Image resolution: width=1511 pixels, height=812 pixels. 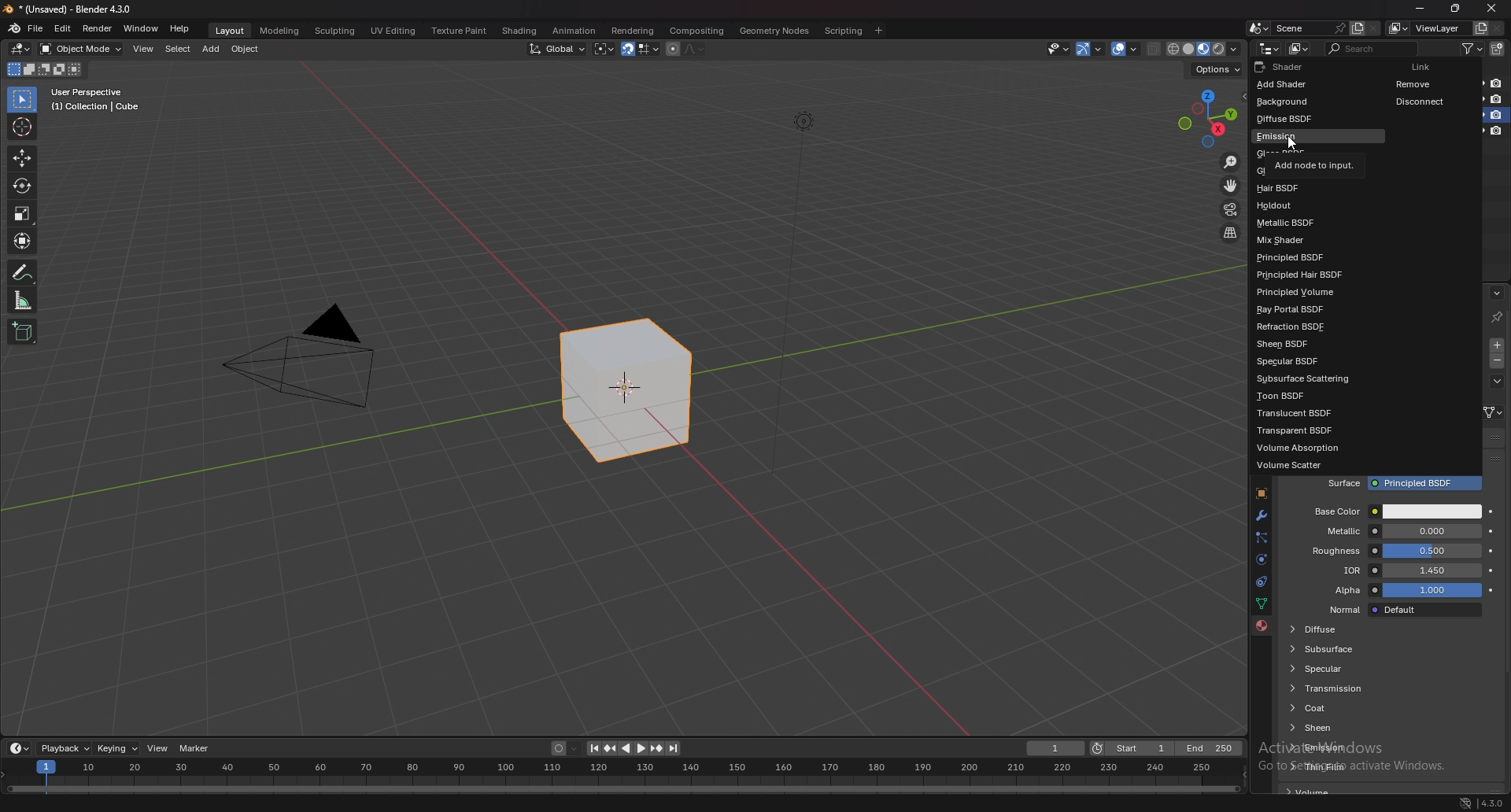 What do you see at coordinates (1056, 748) in the screenshot?
I see `1` at bounding box center [1056, 748].